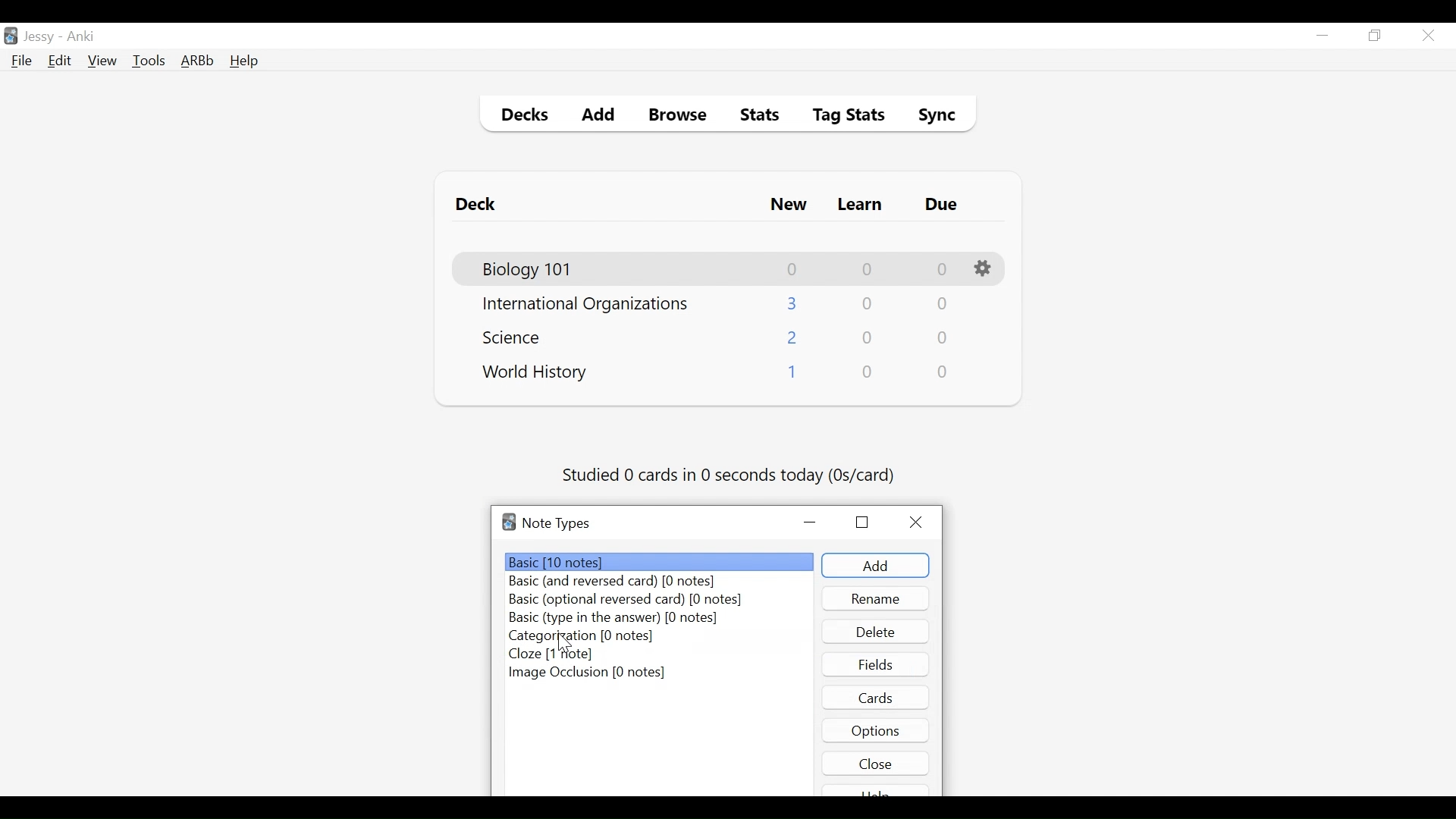  What do you see at coordinates (613, 619) in the screenshot?
I see `Basic (type in the answer)  (number of notes)` at bounding box center [613, 619].